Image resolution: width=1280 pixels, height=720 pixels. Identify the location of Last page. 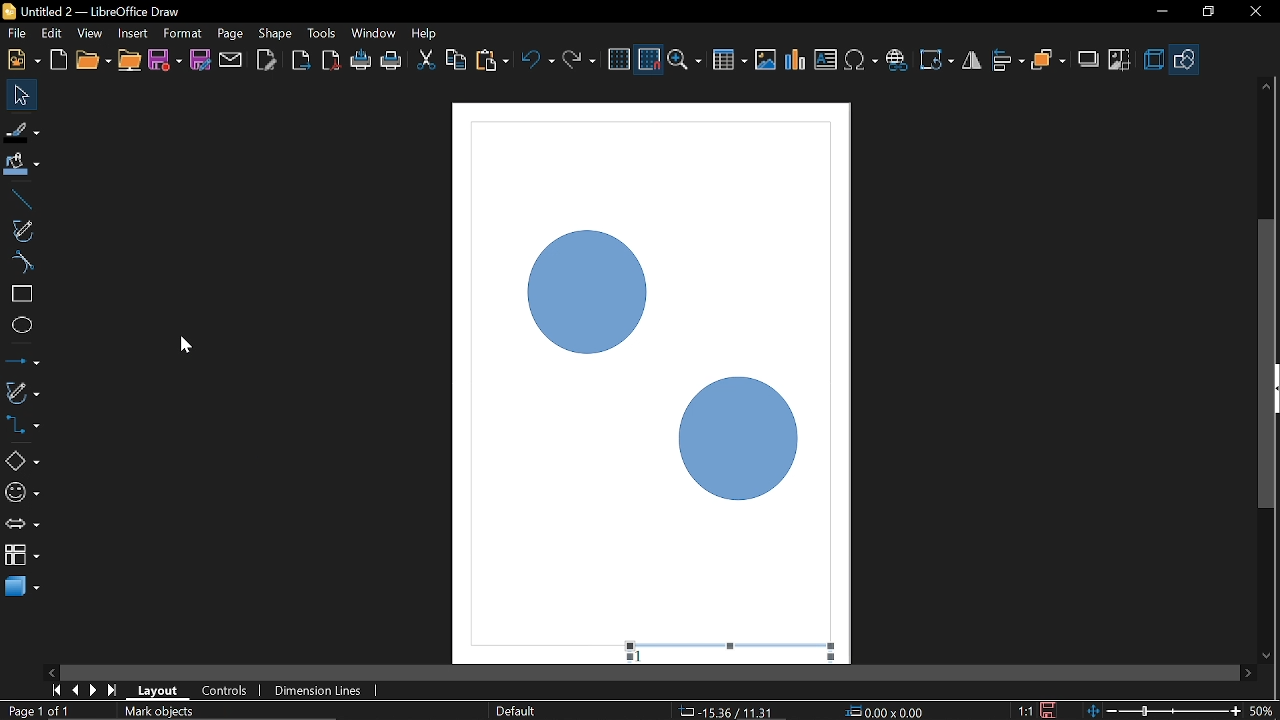
(114, 692).